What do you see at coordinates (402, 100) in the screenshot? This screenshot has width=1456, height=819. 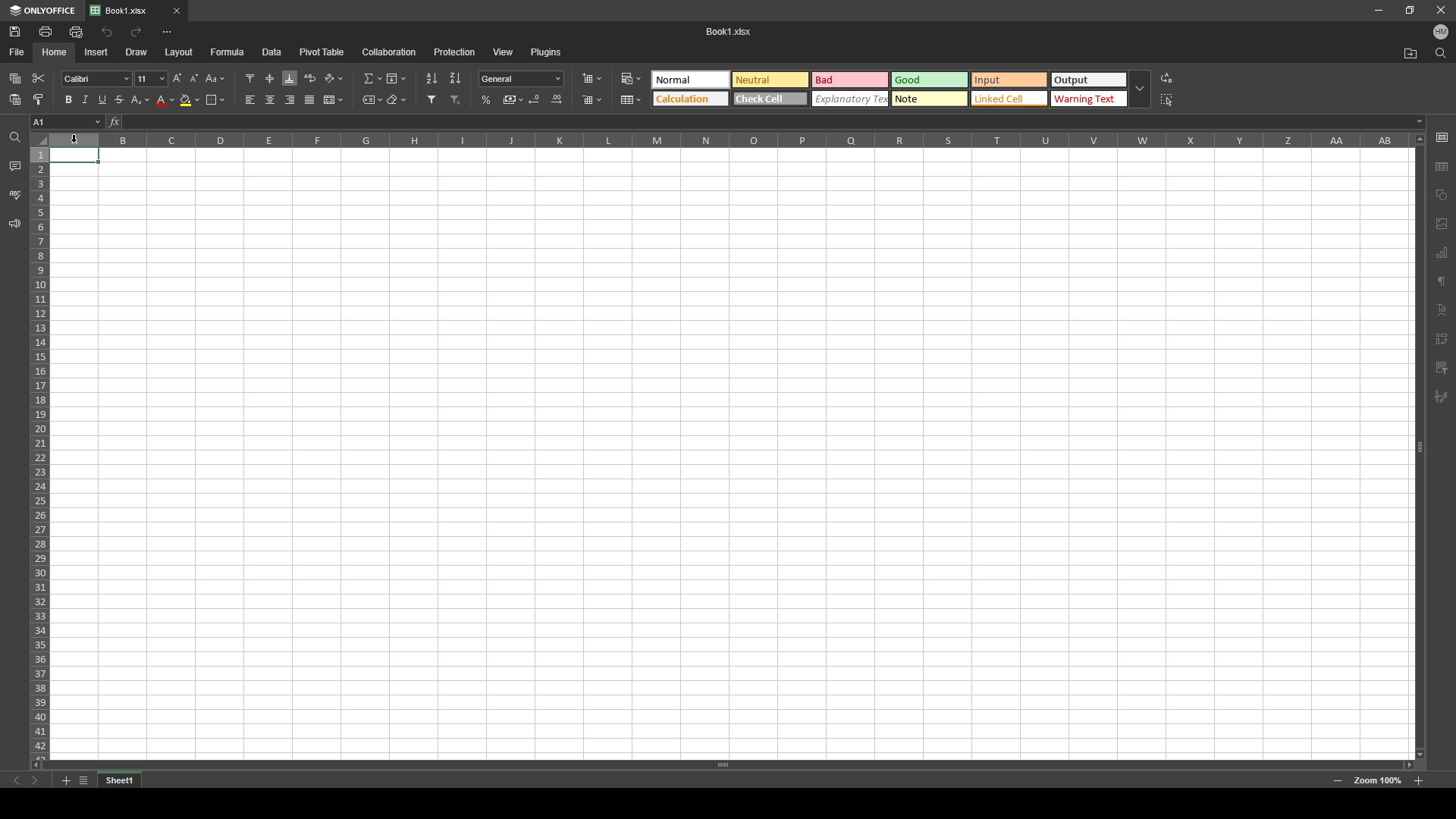 I see `clear` at bounding box center [402, 100].